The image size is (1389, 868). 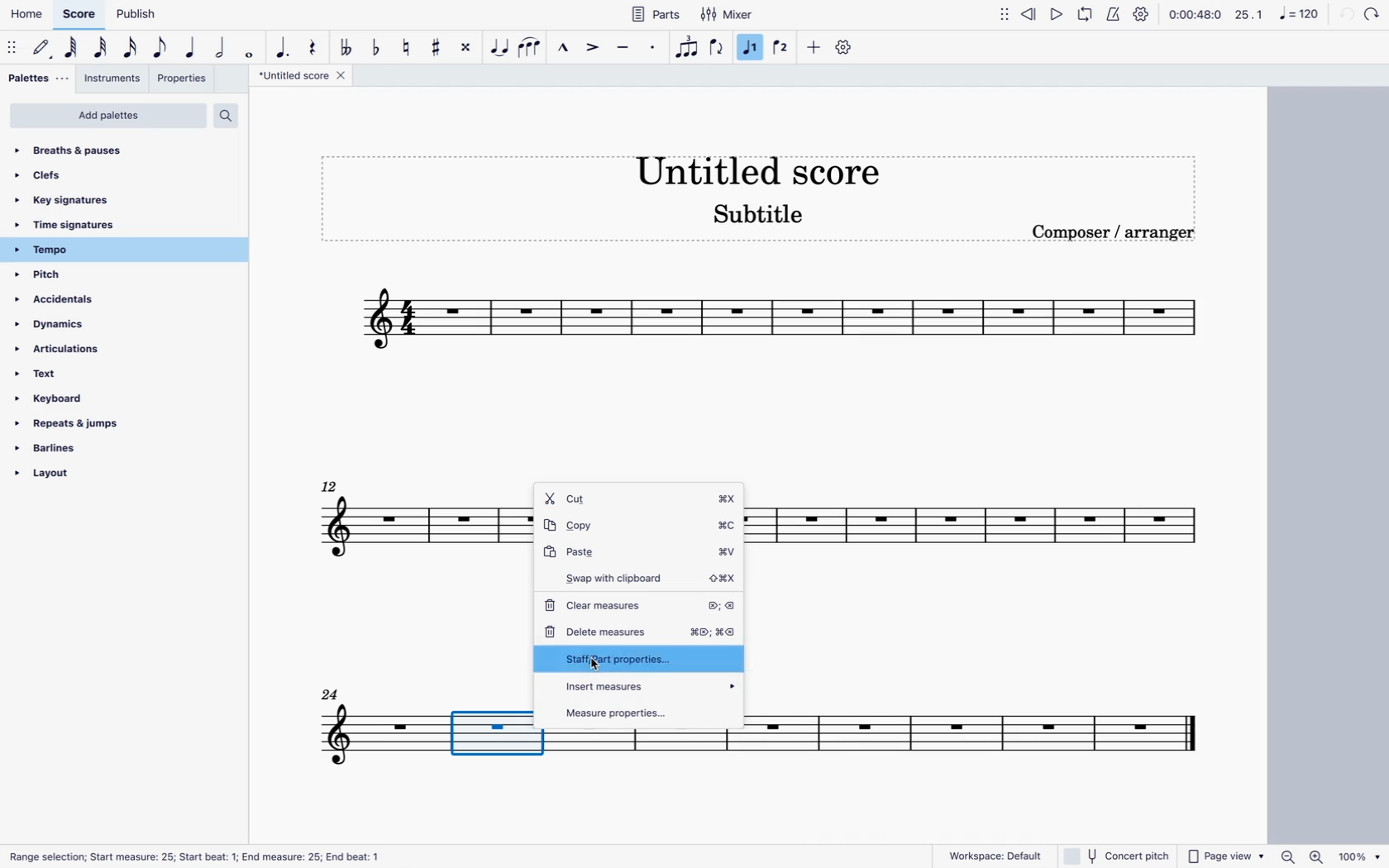 What do you see at coordinates (437, 47) in the screenshot?
I see `toggle sharp` at bounding box center [437, 47].